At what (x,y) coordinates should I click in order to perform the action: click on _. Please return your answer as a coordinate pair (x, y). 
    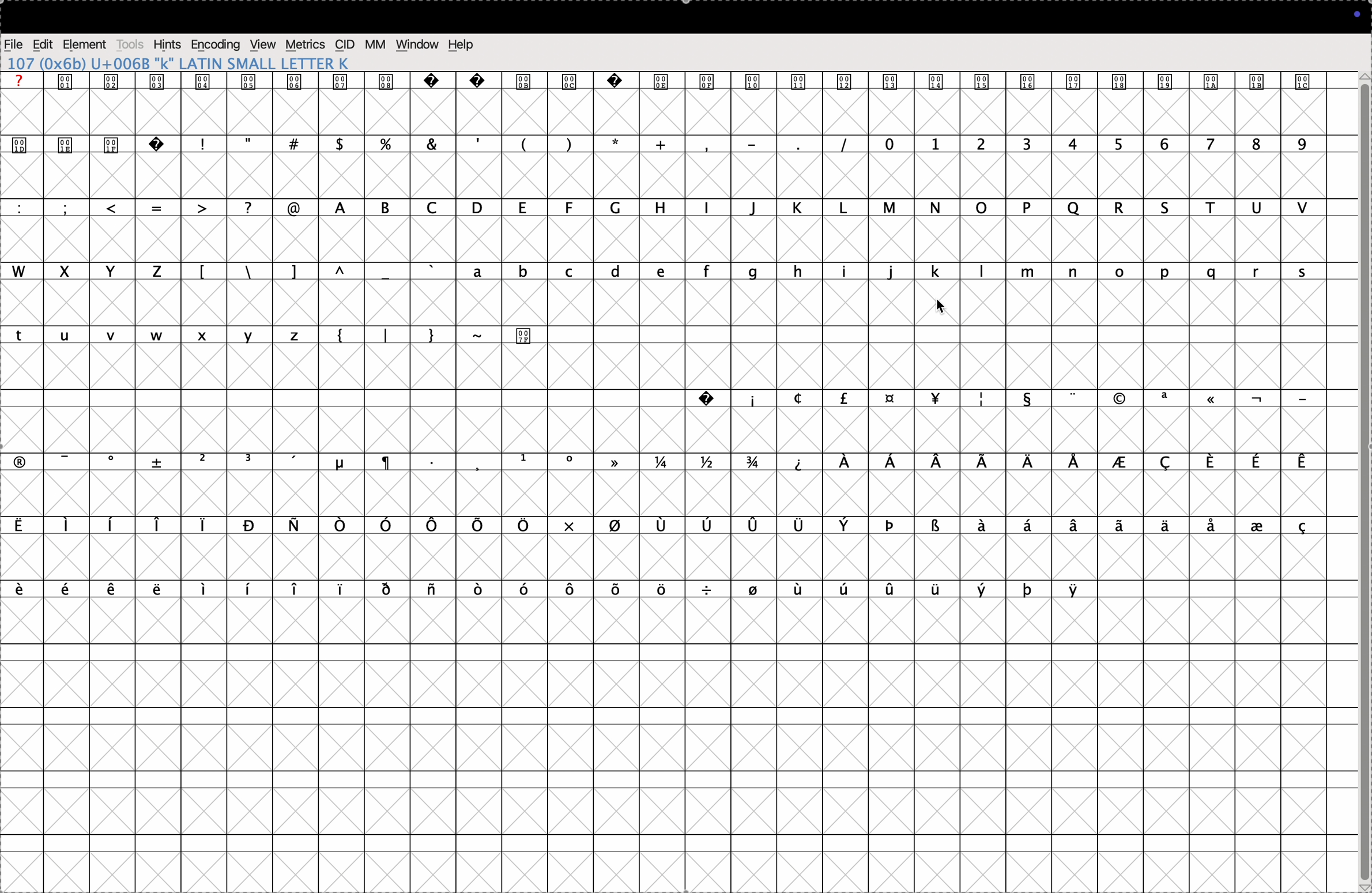
    Looking at the image, I should click on (755, 142).